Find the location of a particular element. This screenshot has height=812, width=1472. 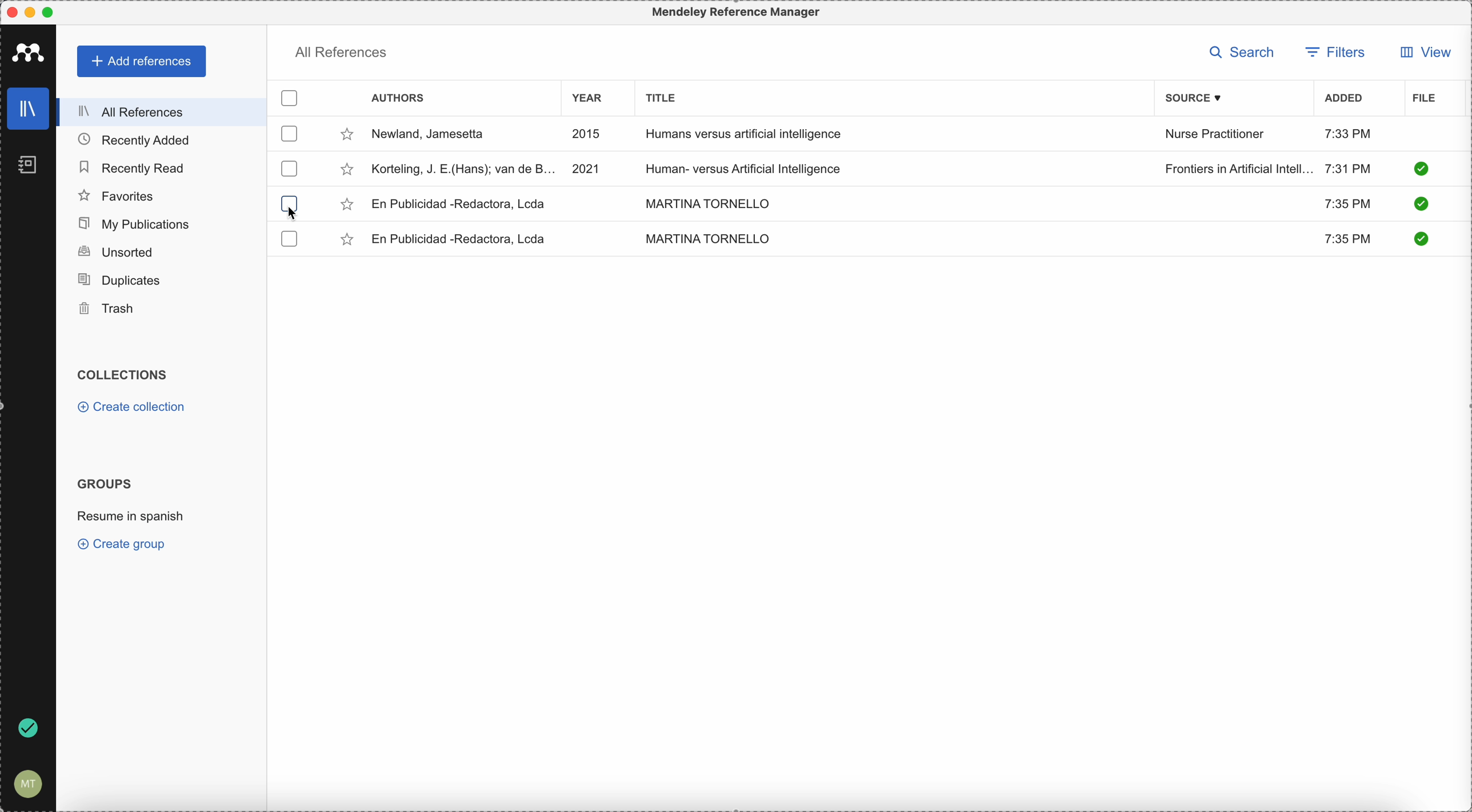

checkbox is located at coordinates (290, 239).